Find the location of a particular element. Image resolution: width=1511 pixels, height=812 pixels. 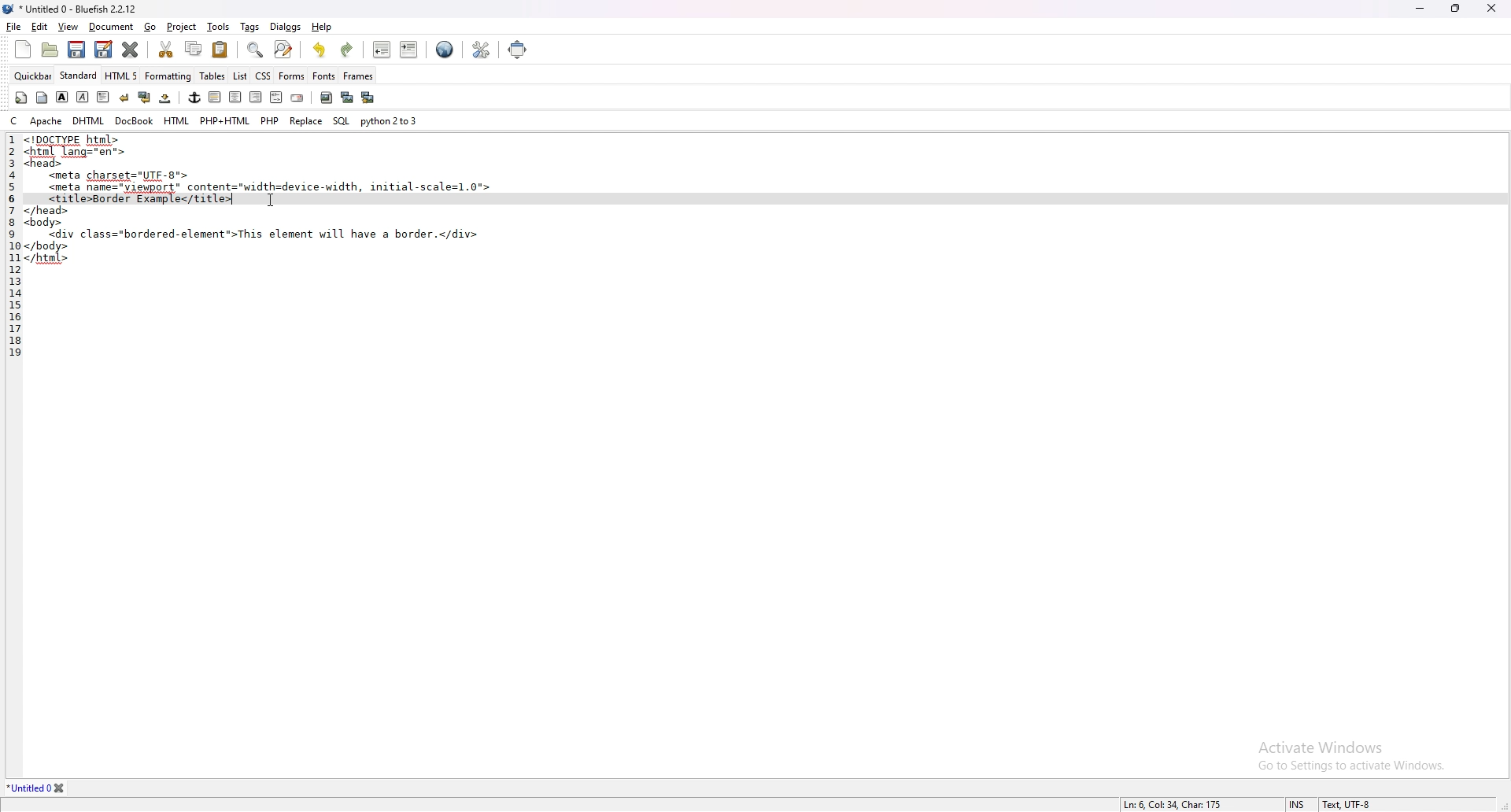

html is located at coordinates (178, 121).